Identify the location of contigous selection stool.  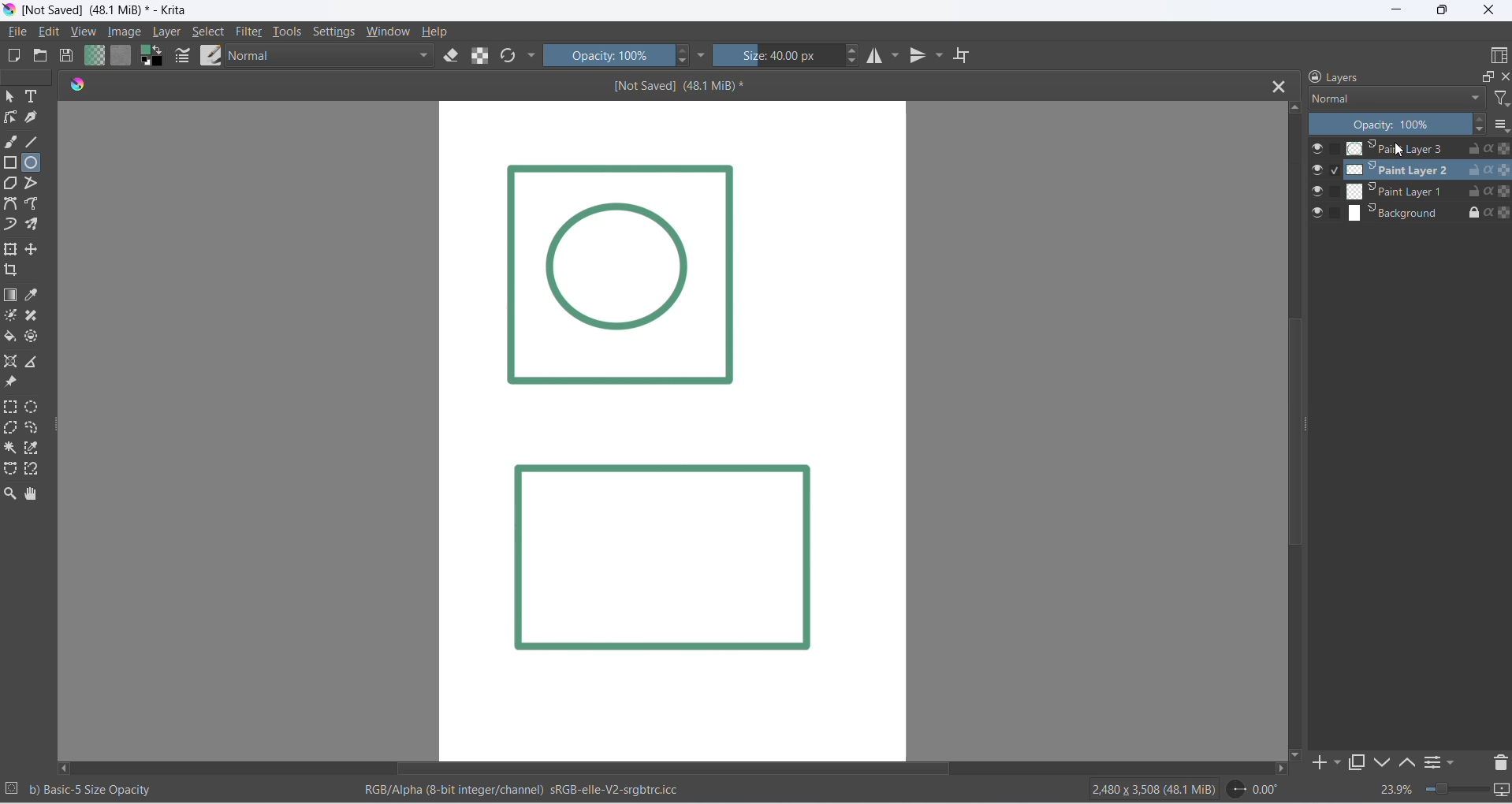
(11, 448).